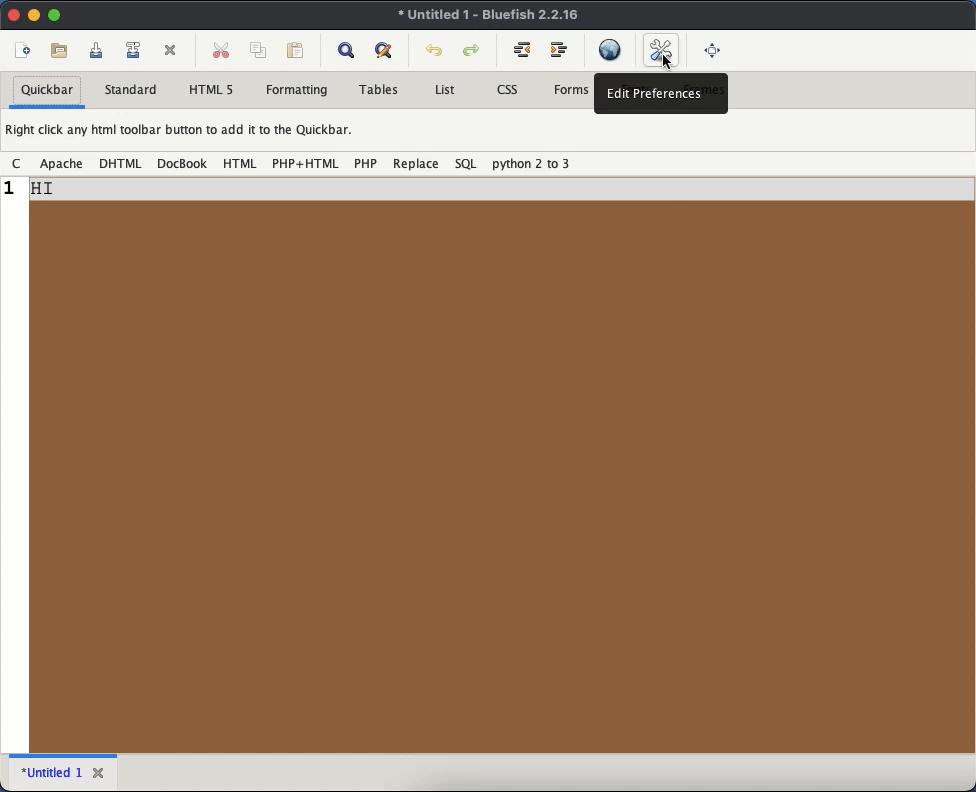 The image size is (976, 792). What do you see at coordinates (132, 88) in the screenshot?
I see `standard` at bounding box center [132, 88].